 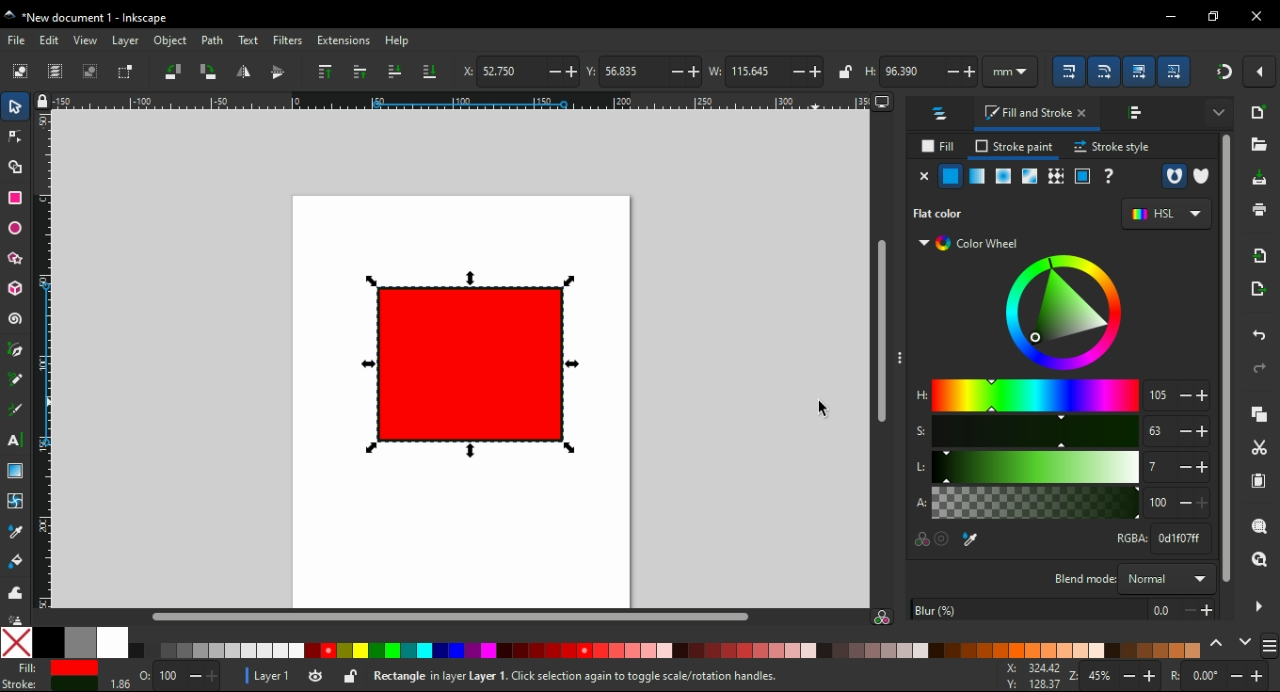 I want to click on hide, so click(x=899, y=354).